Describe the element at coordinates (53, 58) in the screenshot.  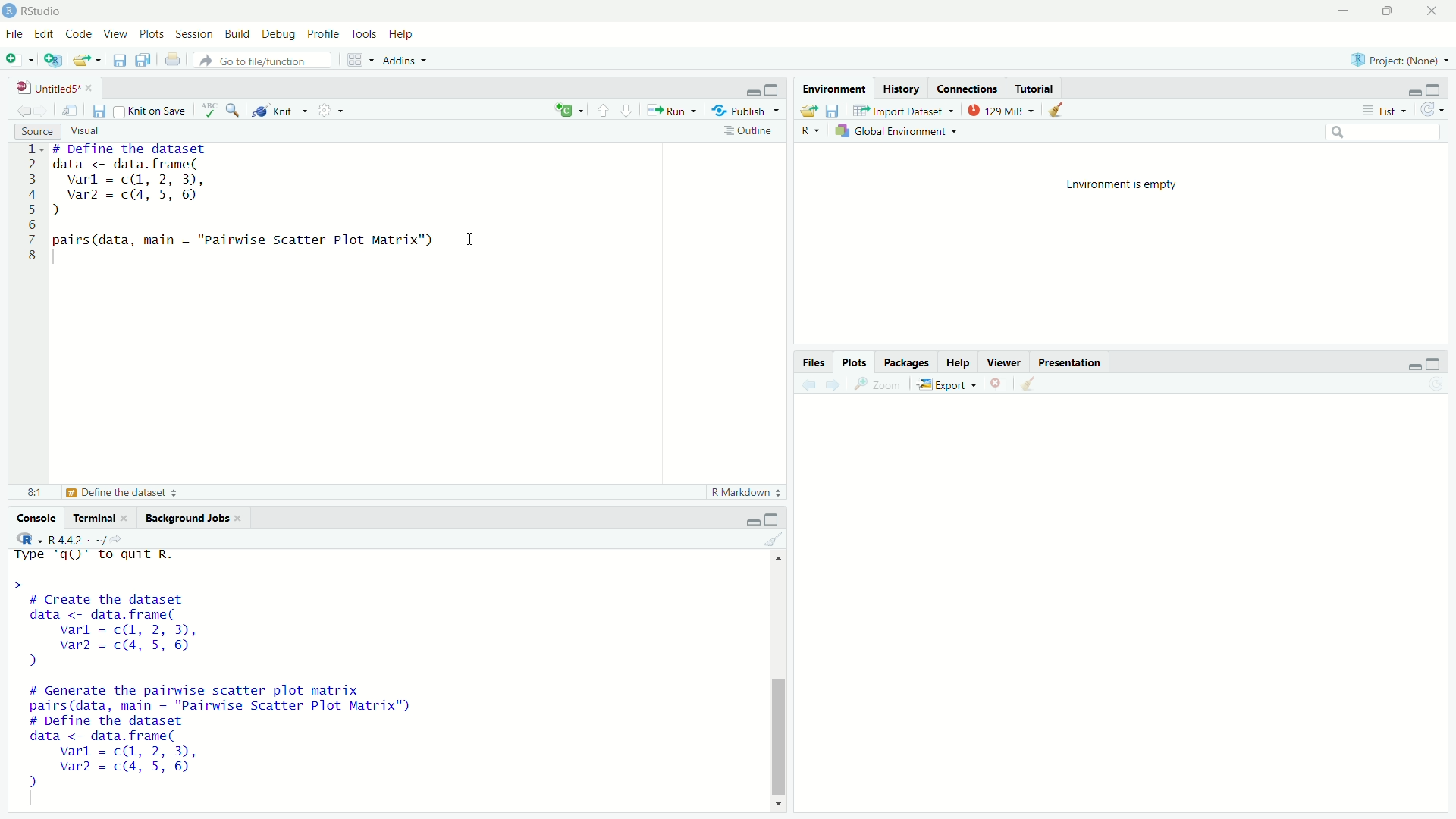
I see `Create a project` at that location.